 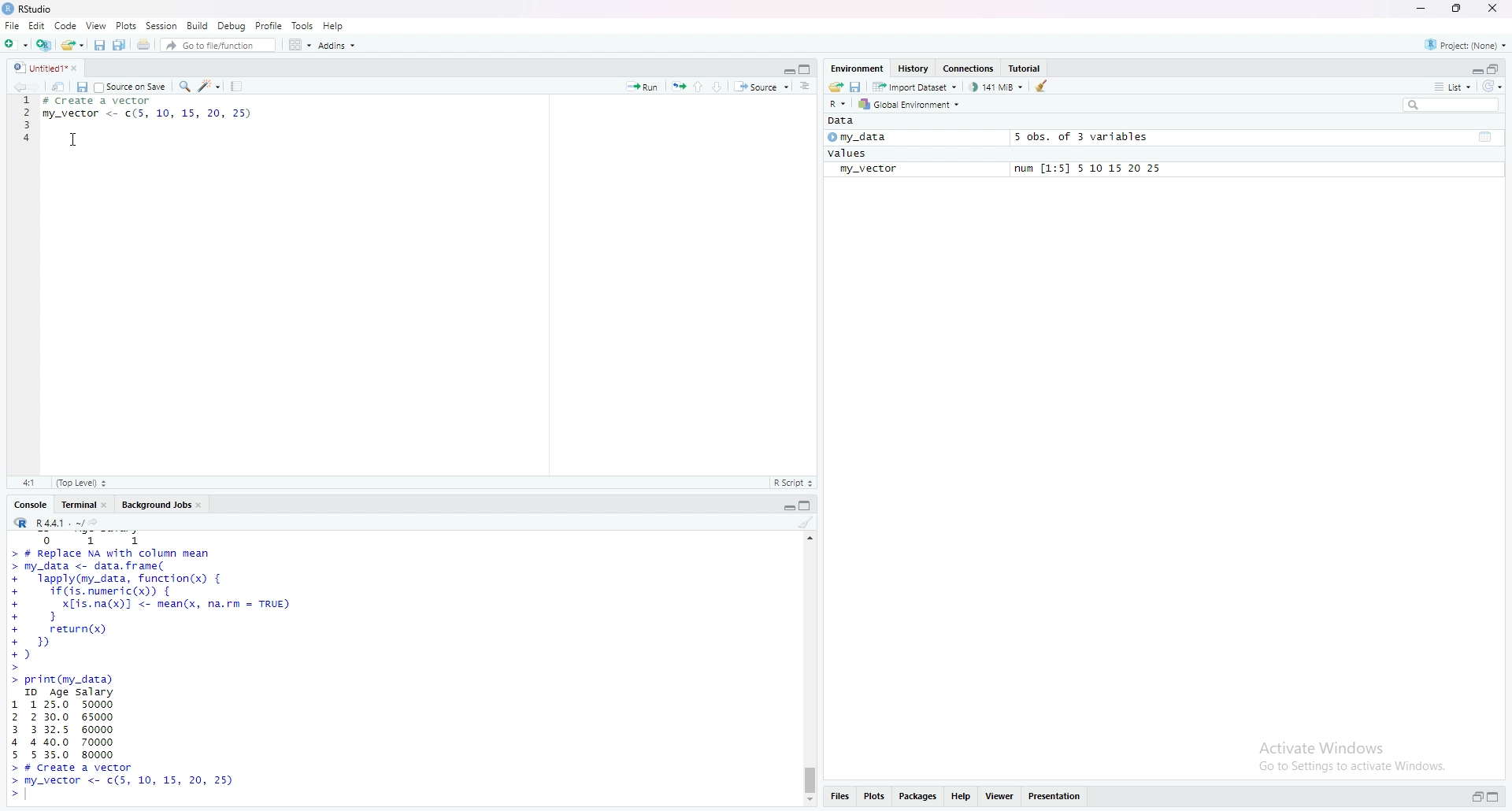 I want to click on list, so click(x=1453, y=88).